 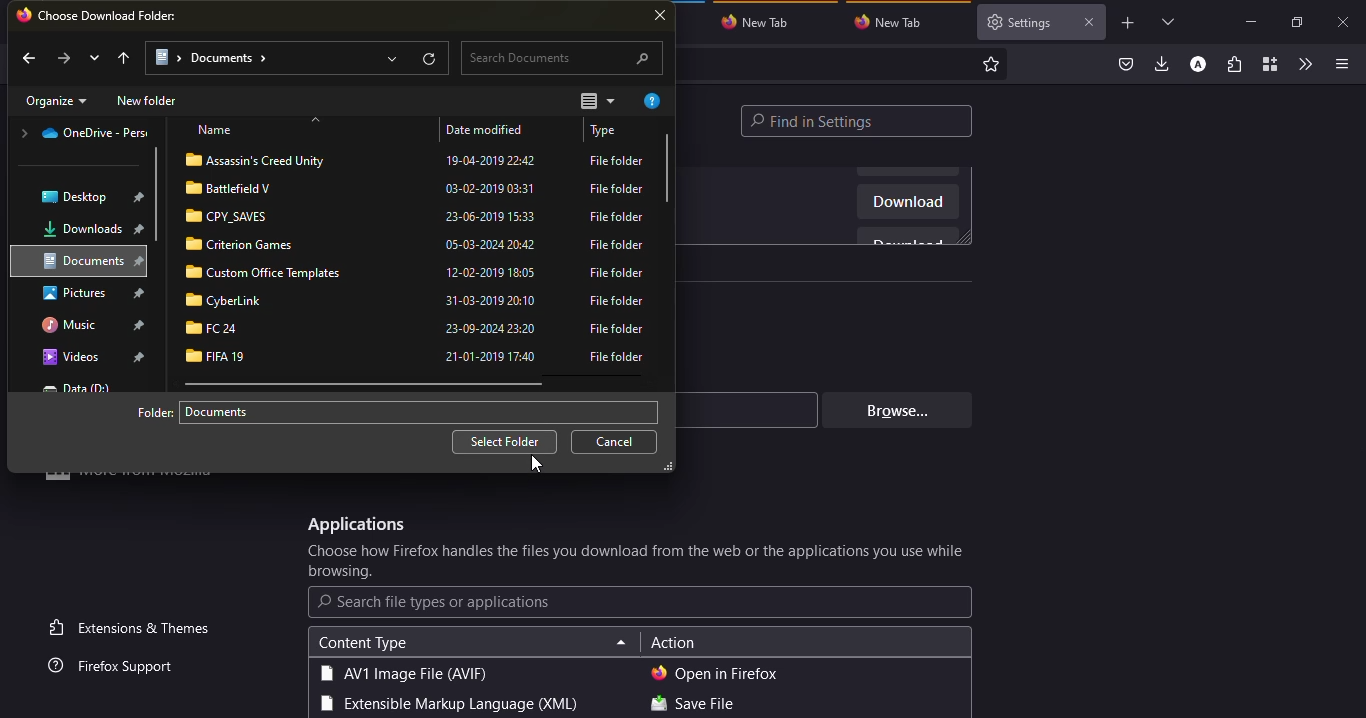 I want to click on menu, so click(x=1338, y=64).